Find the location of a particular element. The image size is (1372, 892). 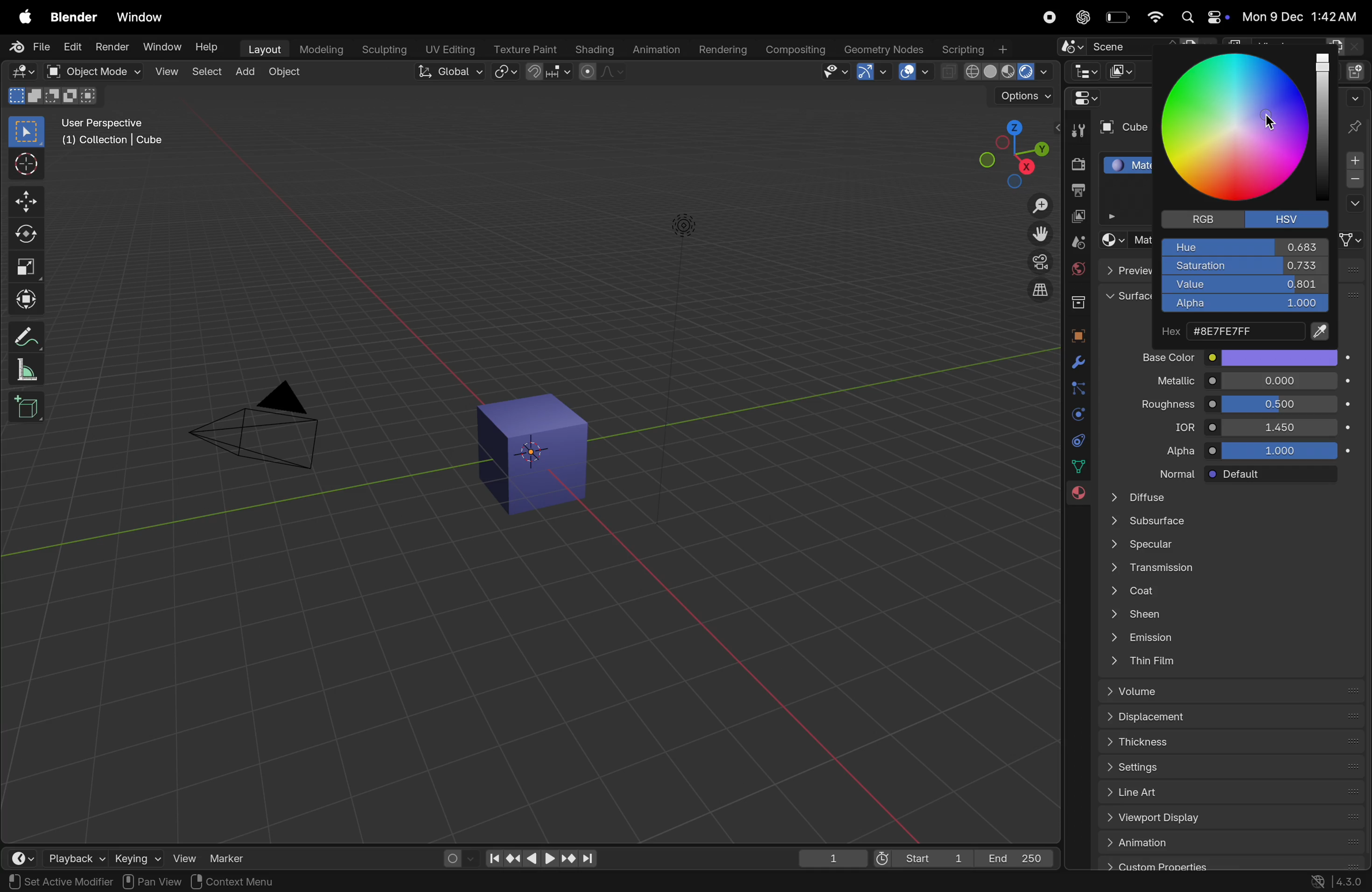

alpha is located at coordinates (1168, 451).